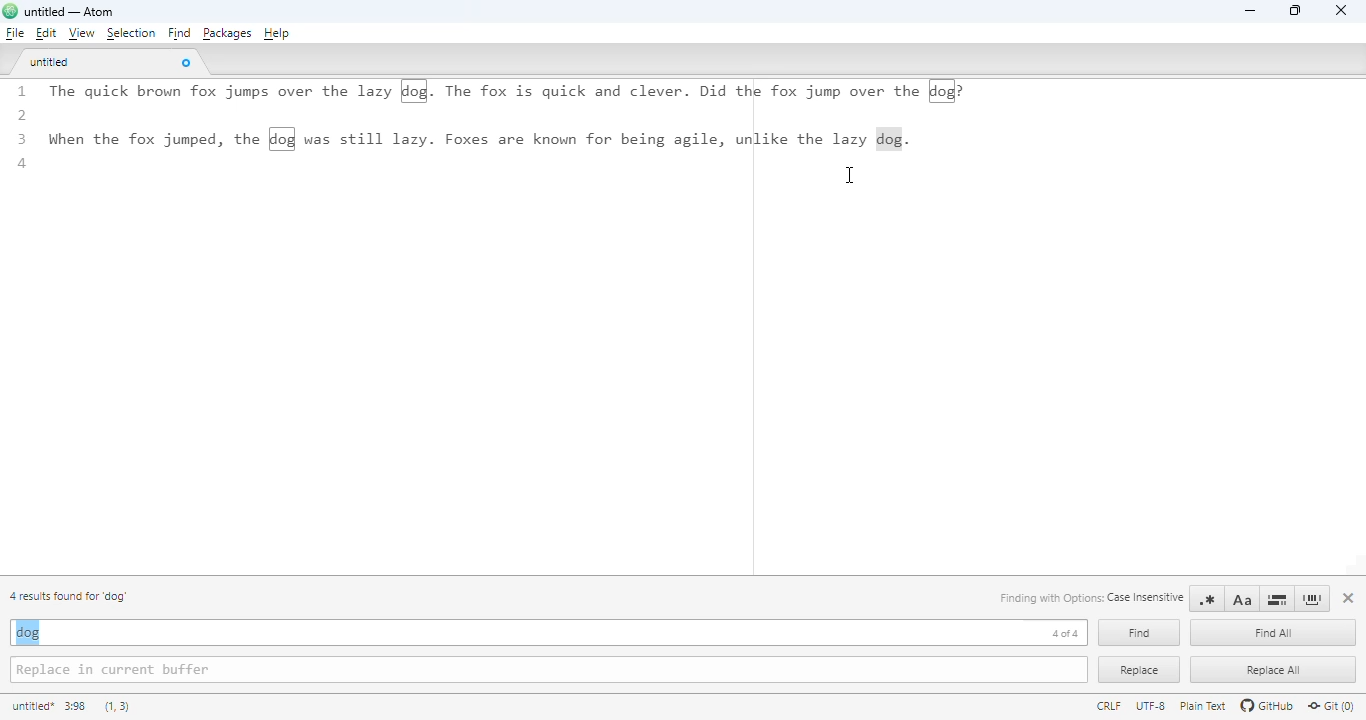  I want to click on highlighted occurrence of 'dog', so click(943, 91).